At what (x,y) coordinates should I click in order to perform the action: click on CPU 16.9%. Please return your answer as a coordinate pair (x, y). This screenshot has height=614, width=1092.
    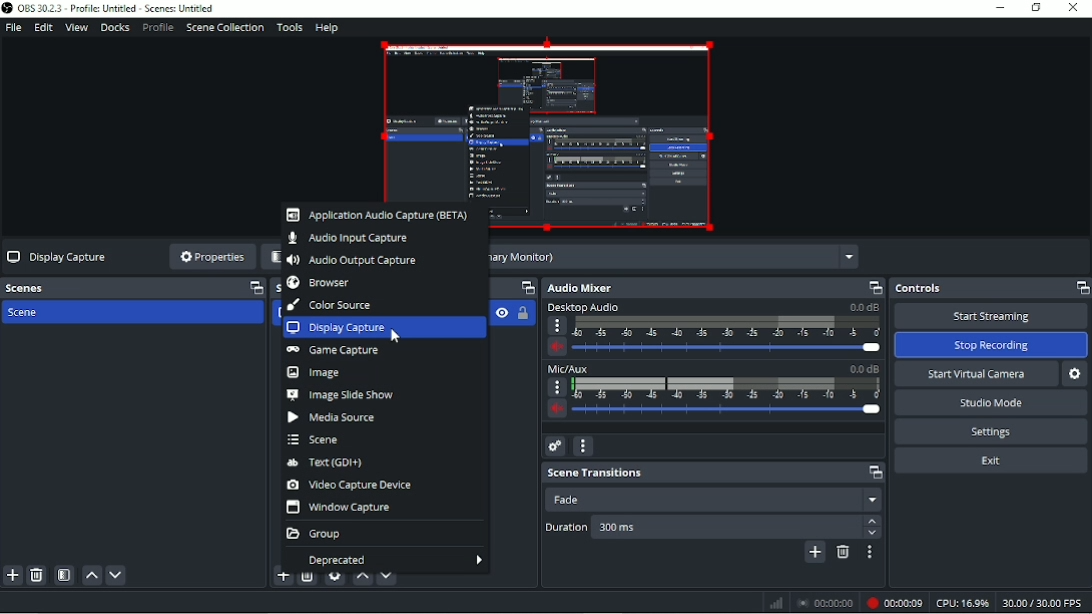
    Looking at the image, I should click on (962, 602).